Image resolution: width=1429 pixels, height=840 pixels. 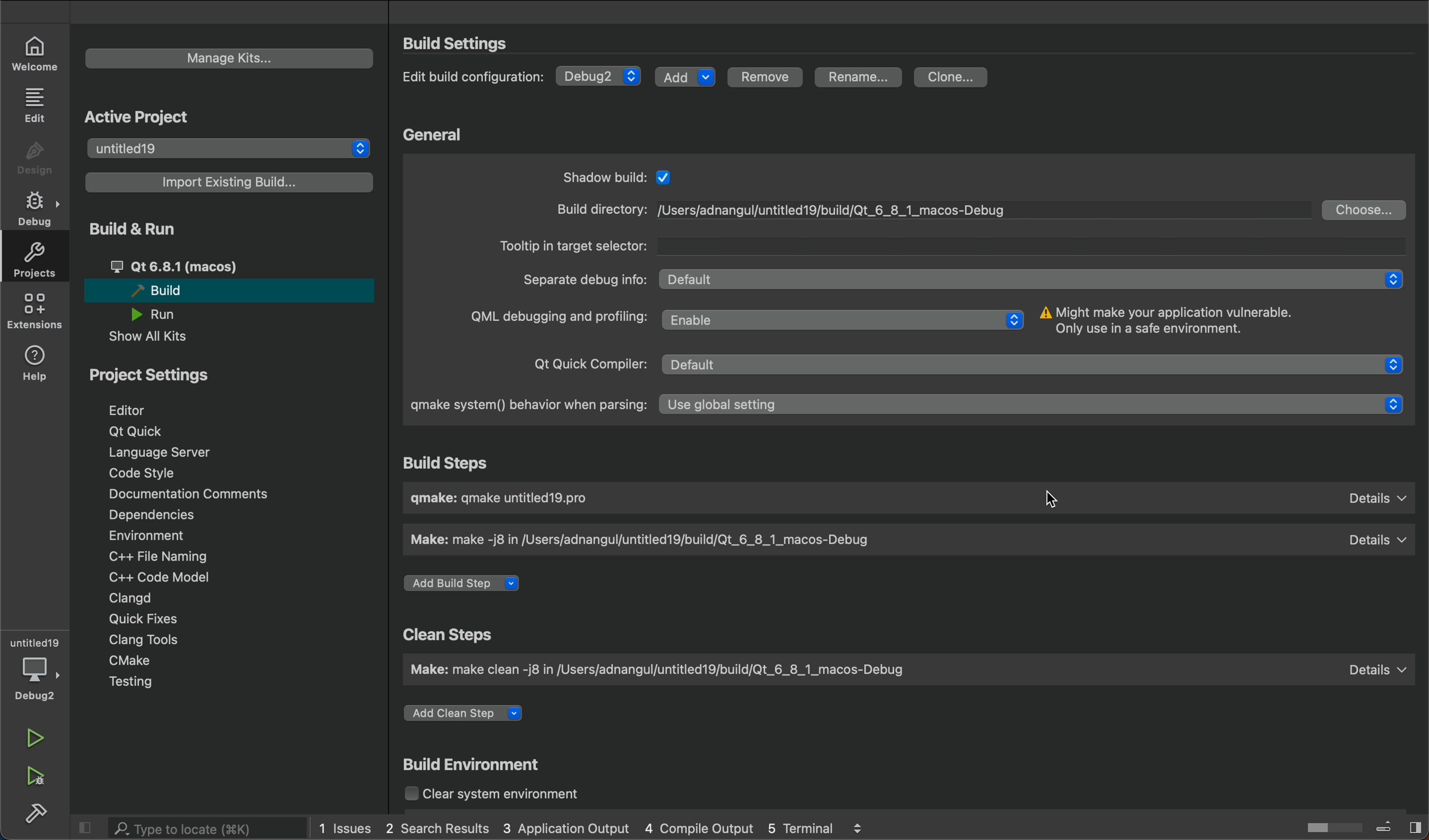 I want to click on defaulty, so click(x=1376, y=502).